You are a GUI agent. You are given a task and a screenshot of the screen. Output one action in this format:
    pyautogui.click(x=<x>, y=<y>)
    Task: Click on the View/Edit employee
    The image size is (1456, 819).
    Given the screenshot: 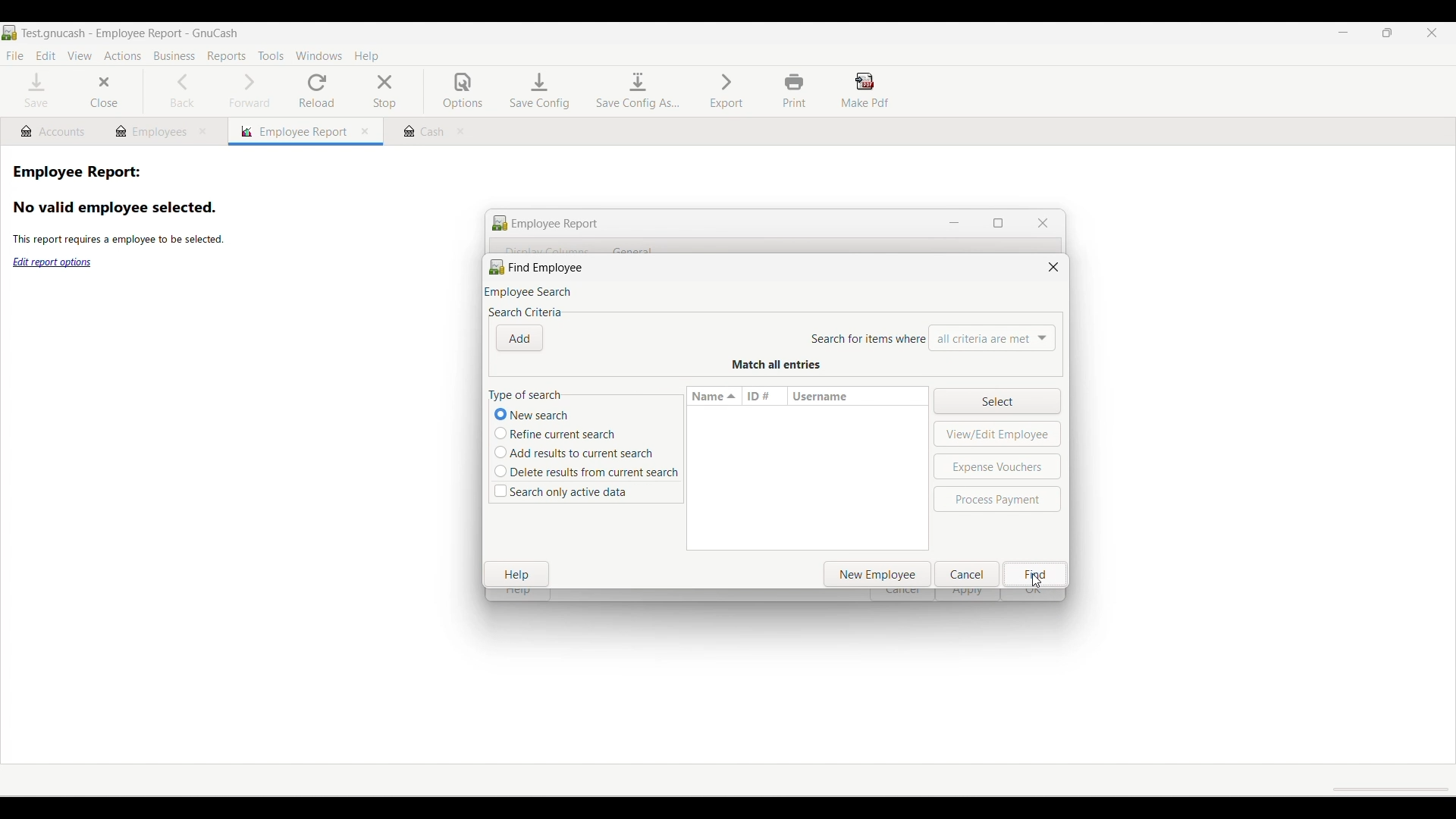 What is the action you would take?
    pyautogui.click(x=999, y=434)
    